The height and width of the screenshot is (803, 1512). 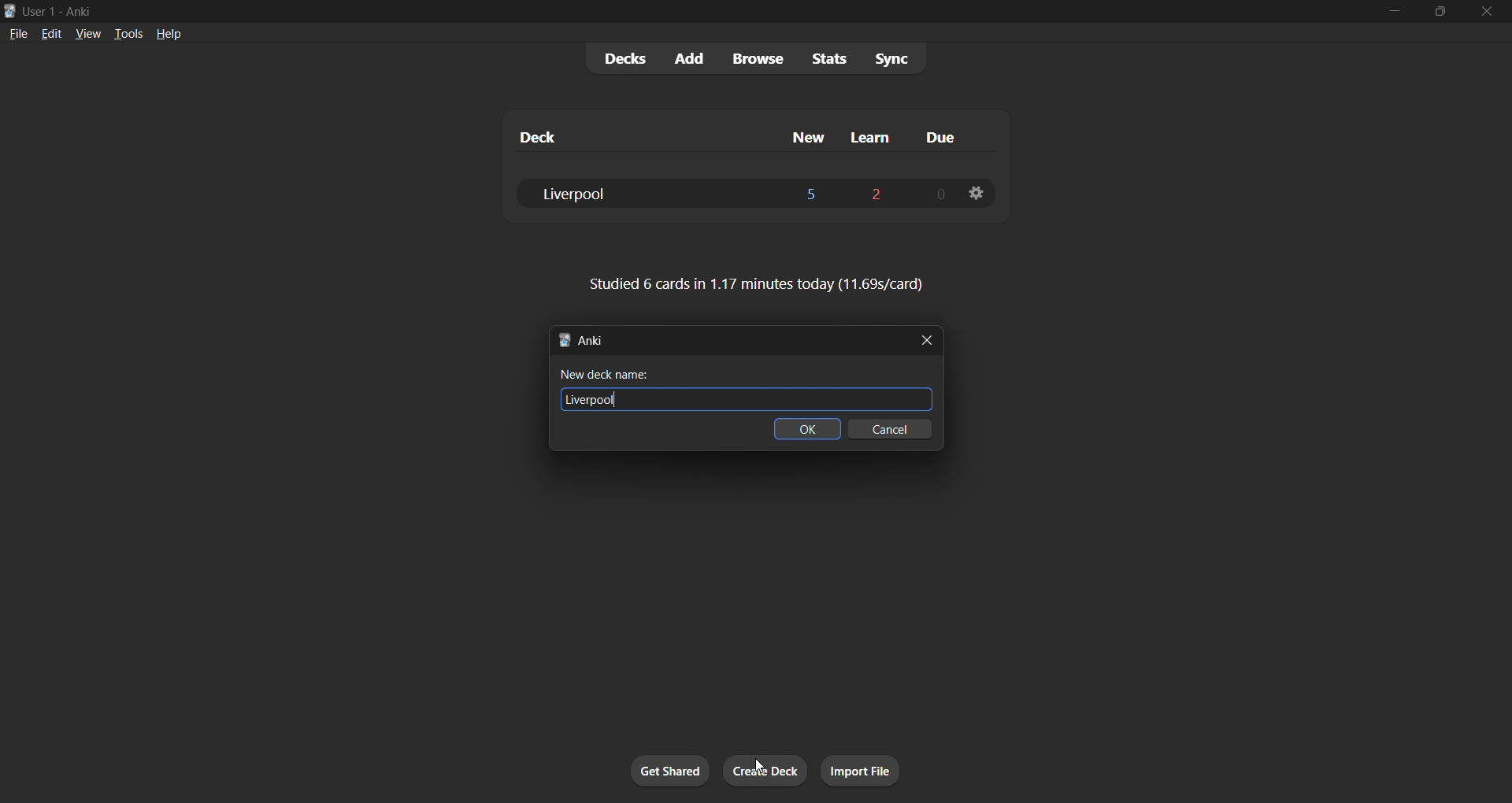 What do you see at coordinates (946, 141) in the screenshot?
I see `due cards column` at bounding box center [946, 141].